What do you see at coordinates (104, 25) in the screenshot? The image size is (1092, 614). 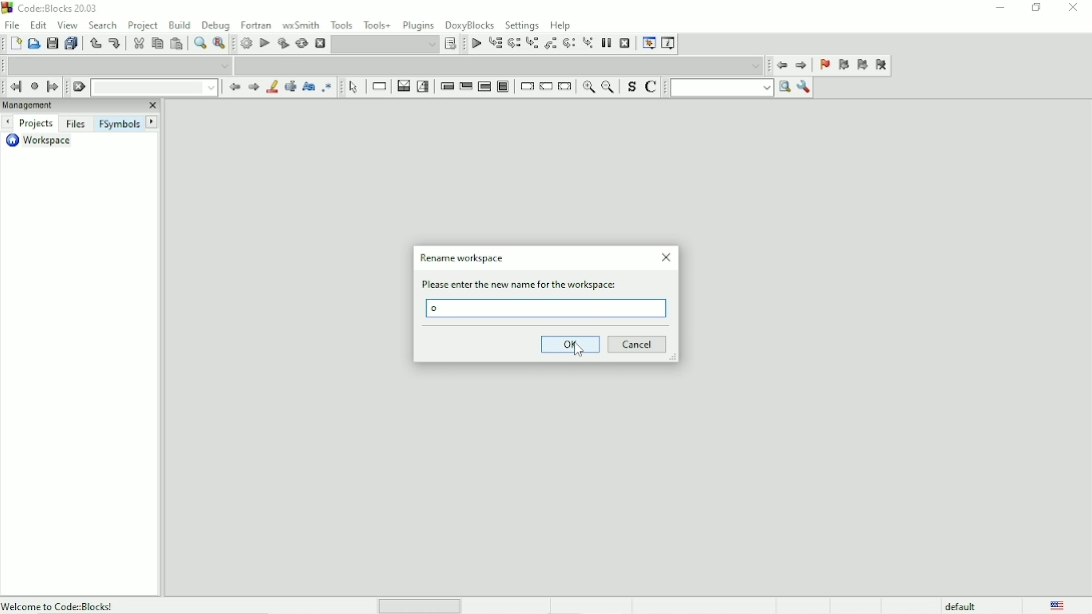 I see `Search` at bounding box center [104, 25].